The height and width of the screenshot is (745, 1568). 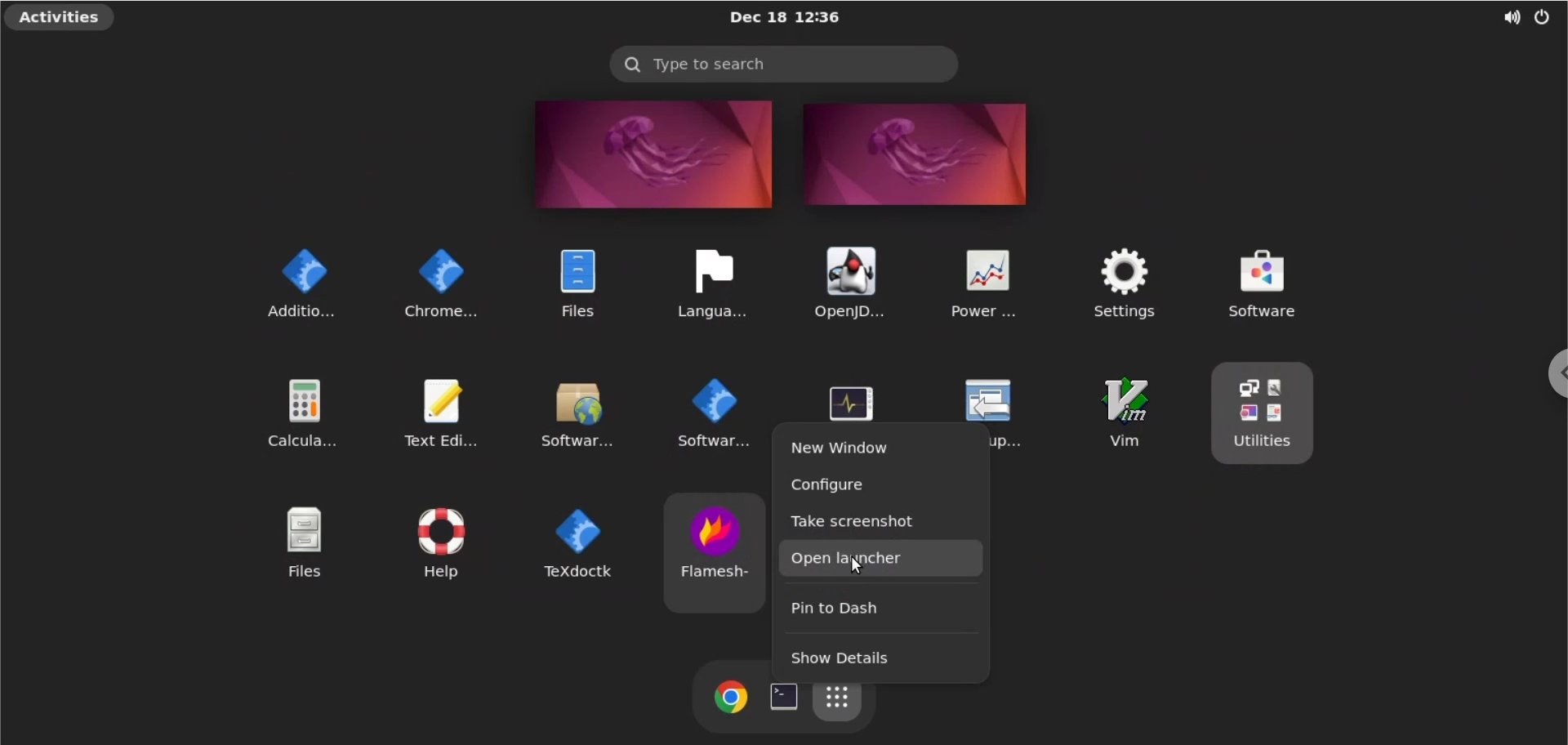 I want to click on help, so click(x=434, y=537).